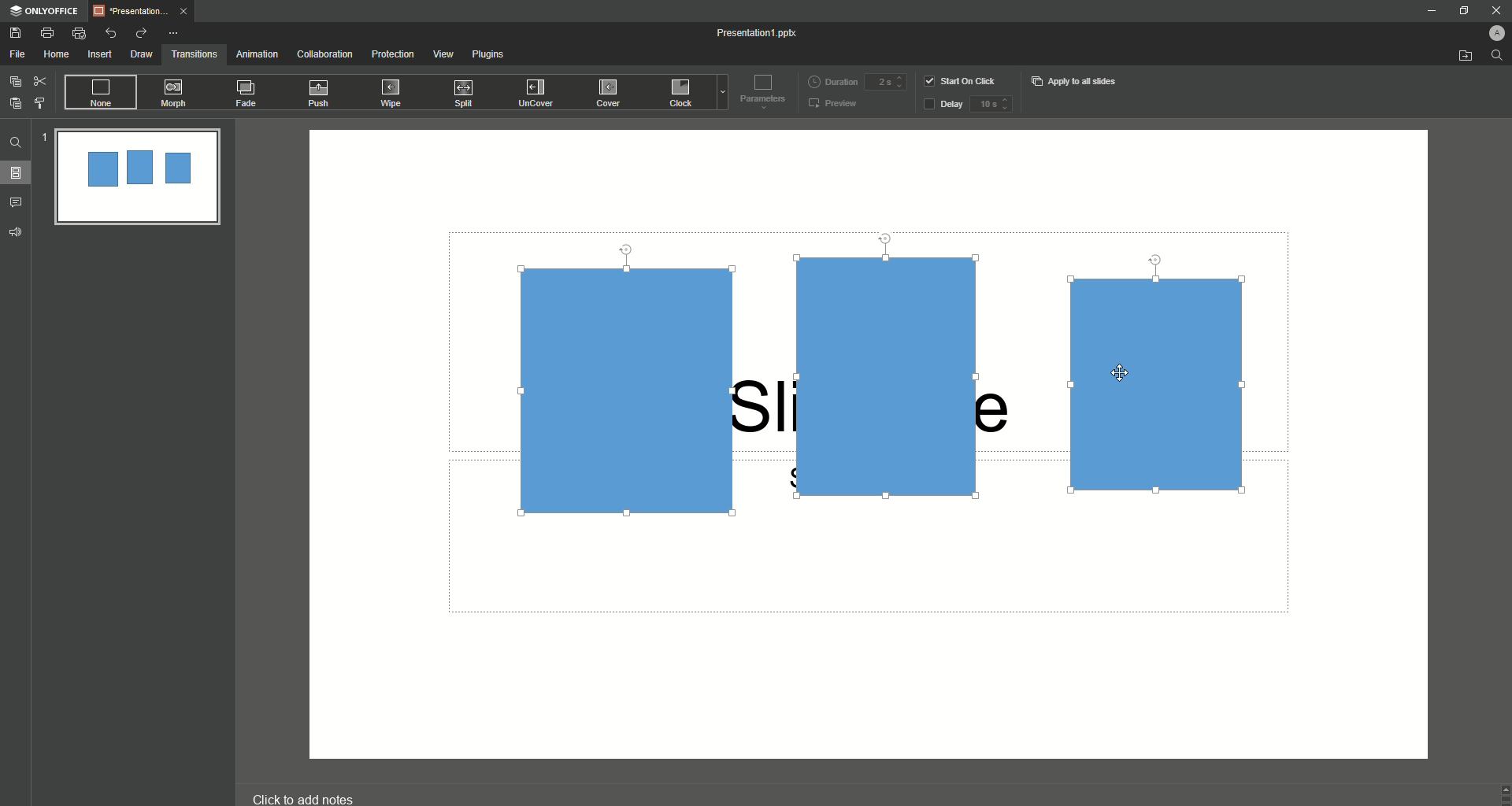 The height and width of the screenshot is (806, 1512). What do you see at coordinates (20, 173) in the screenshot?
I see `Slides` at bounding box center [20, 173].